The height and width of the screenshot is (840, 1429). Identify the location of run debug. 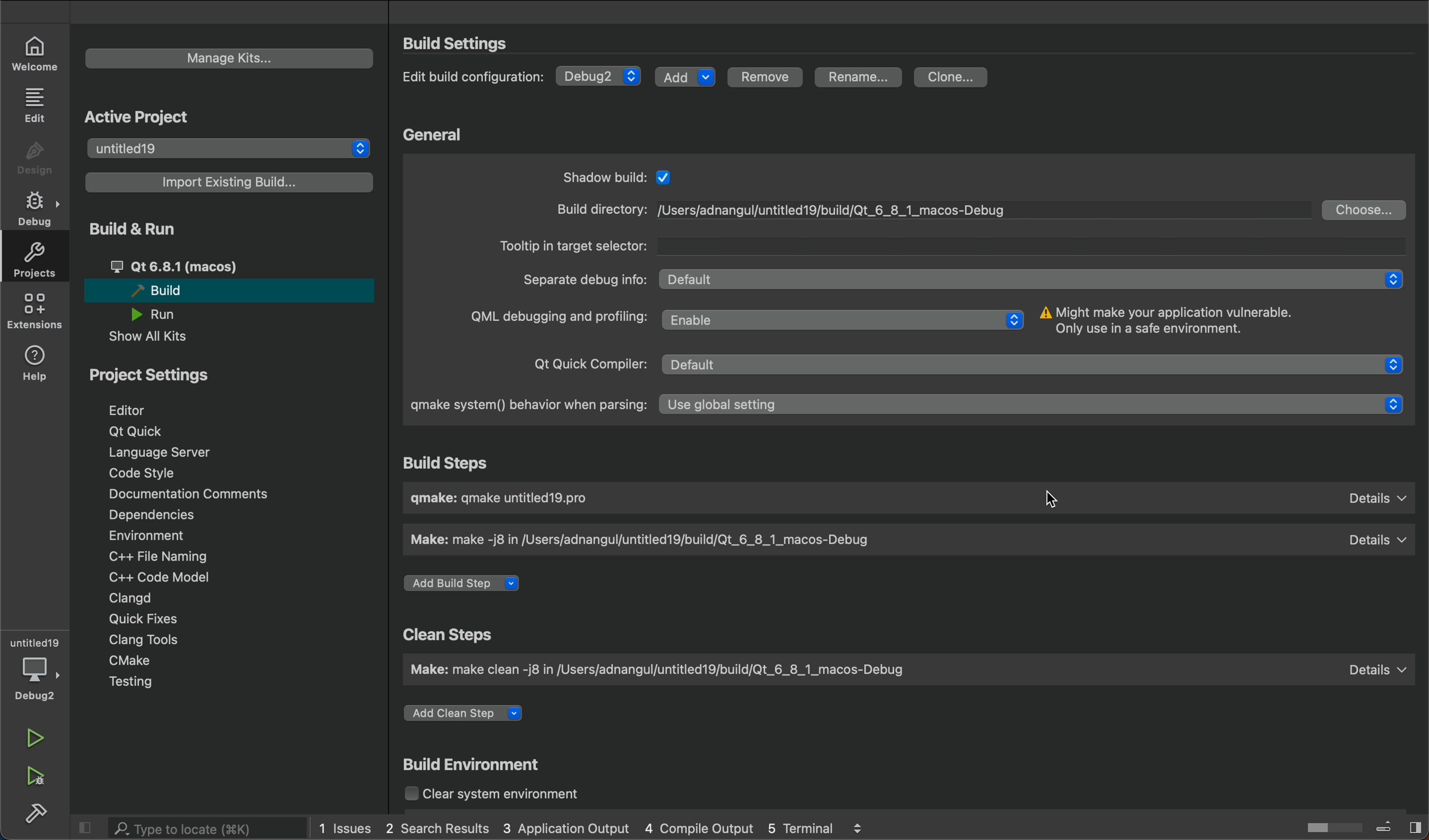
(37, 774).